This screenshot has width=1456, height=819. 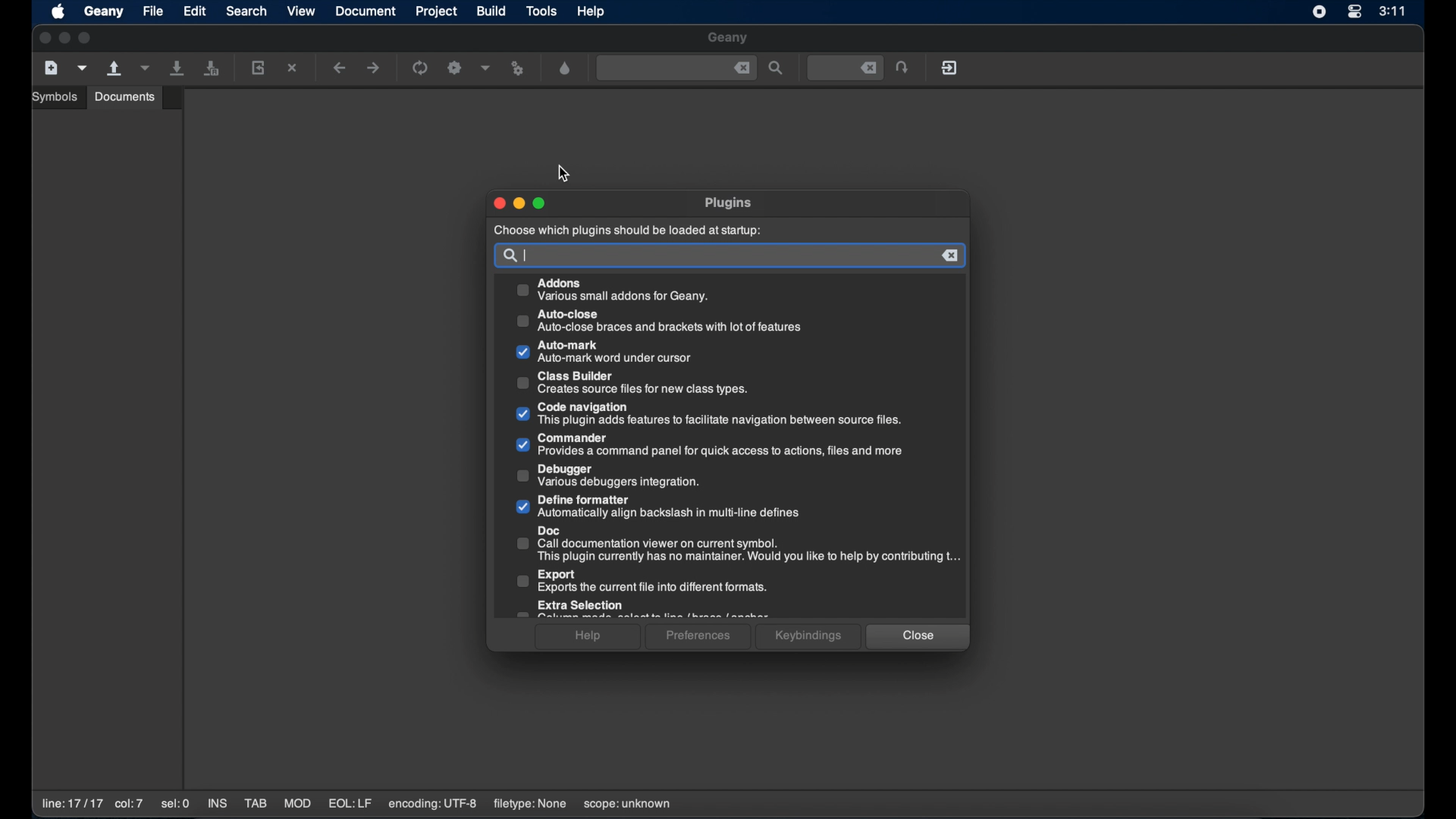 I want to click on reload the current file, so click(x=259, y=67).